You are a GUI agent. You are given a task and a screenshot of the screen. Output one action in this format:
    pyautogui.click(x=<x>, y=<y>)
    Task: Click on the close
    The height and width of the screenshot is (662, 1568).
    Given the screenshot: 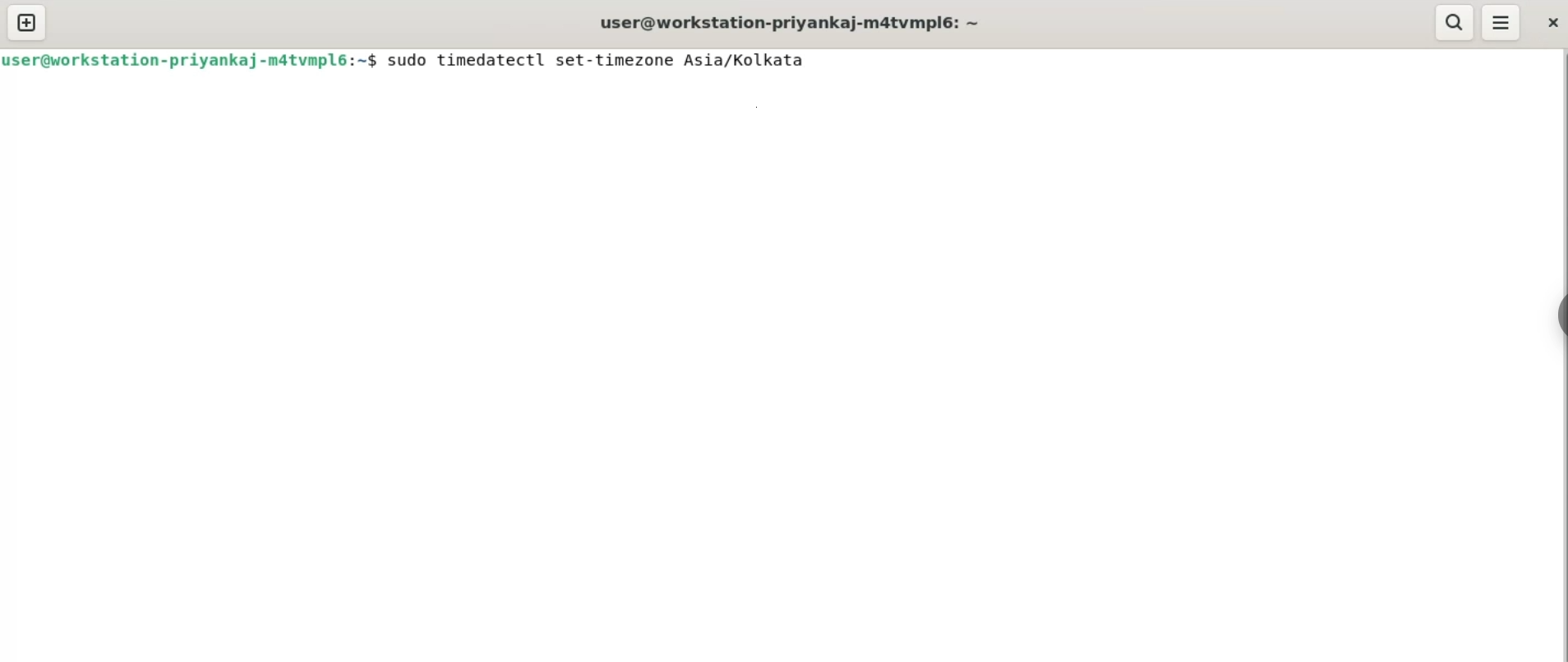 What is the action you would take?
    pyautogui.click(x=1554, y=24)
    